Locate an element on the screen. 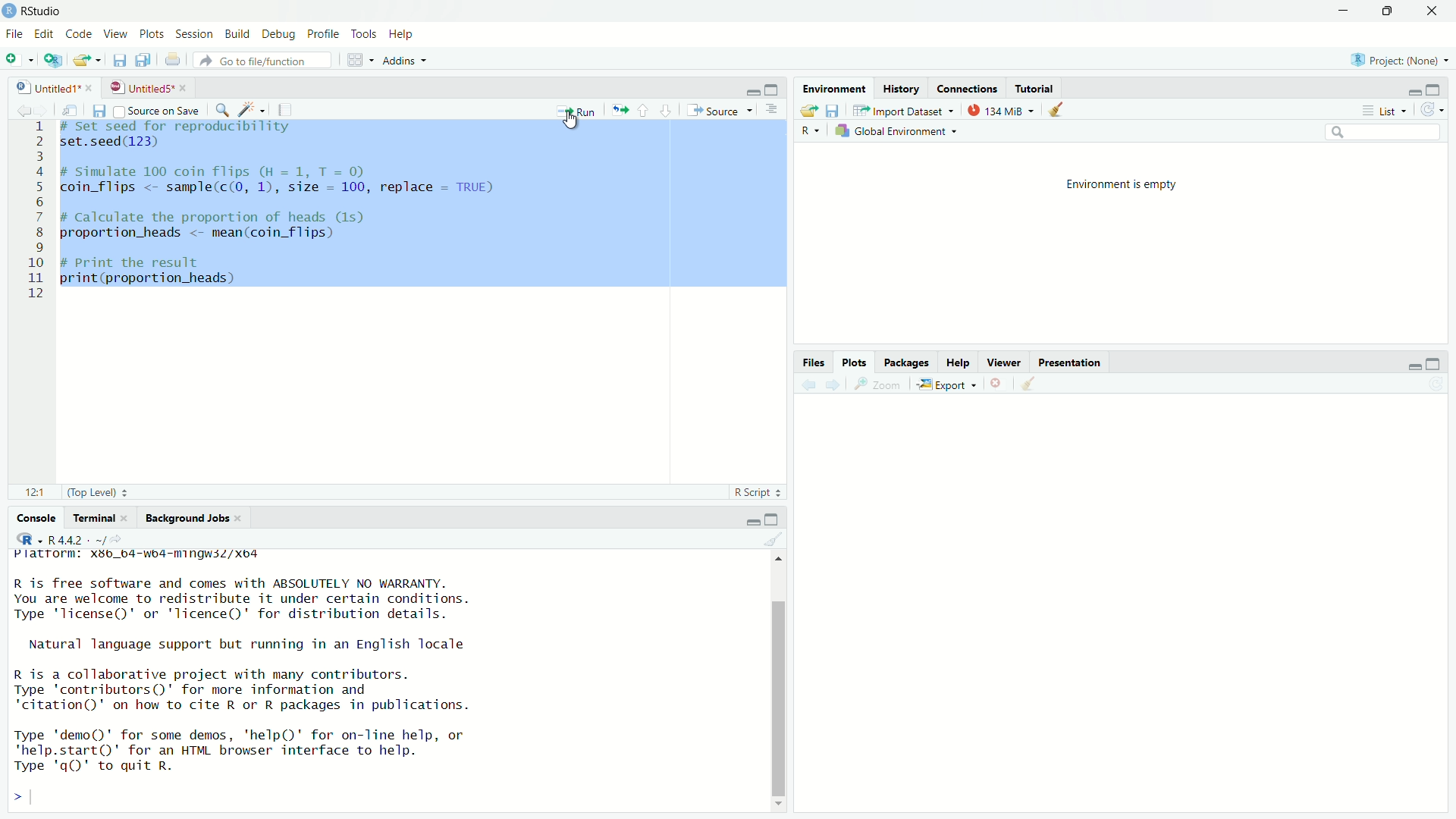 This screenshot has width=1456, height=819. view a larger version of the plot in new window is located at coordinates (883, 387).